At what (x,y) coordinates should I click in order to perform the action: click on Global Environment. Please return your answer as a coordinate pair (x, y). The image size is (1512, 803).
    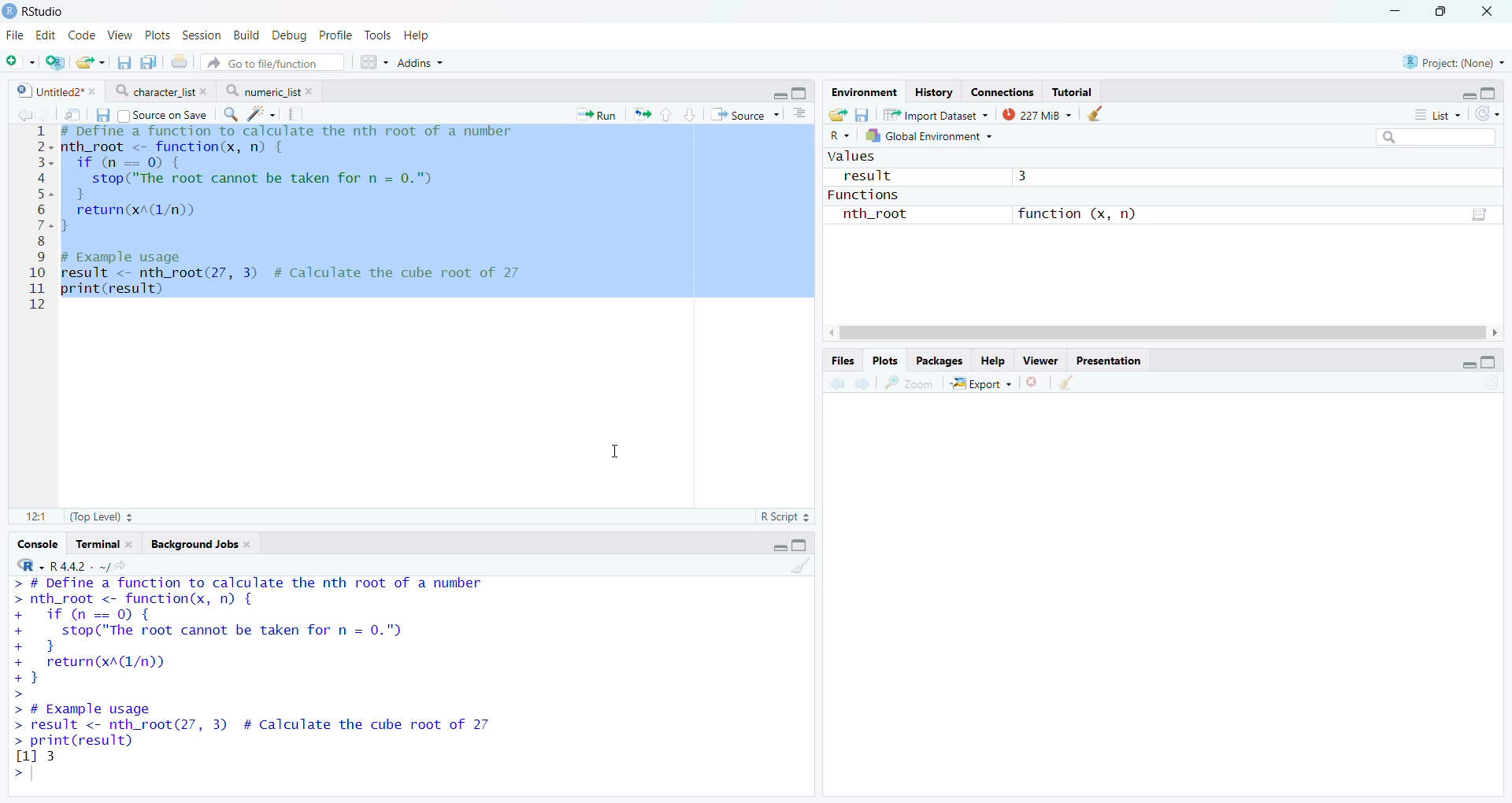
    Looking at the image, I should click on (929, 135).